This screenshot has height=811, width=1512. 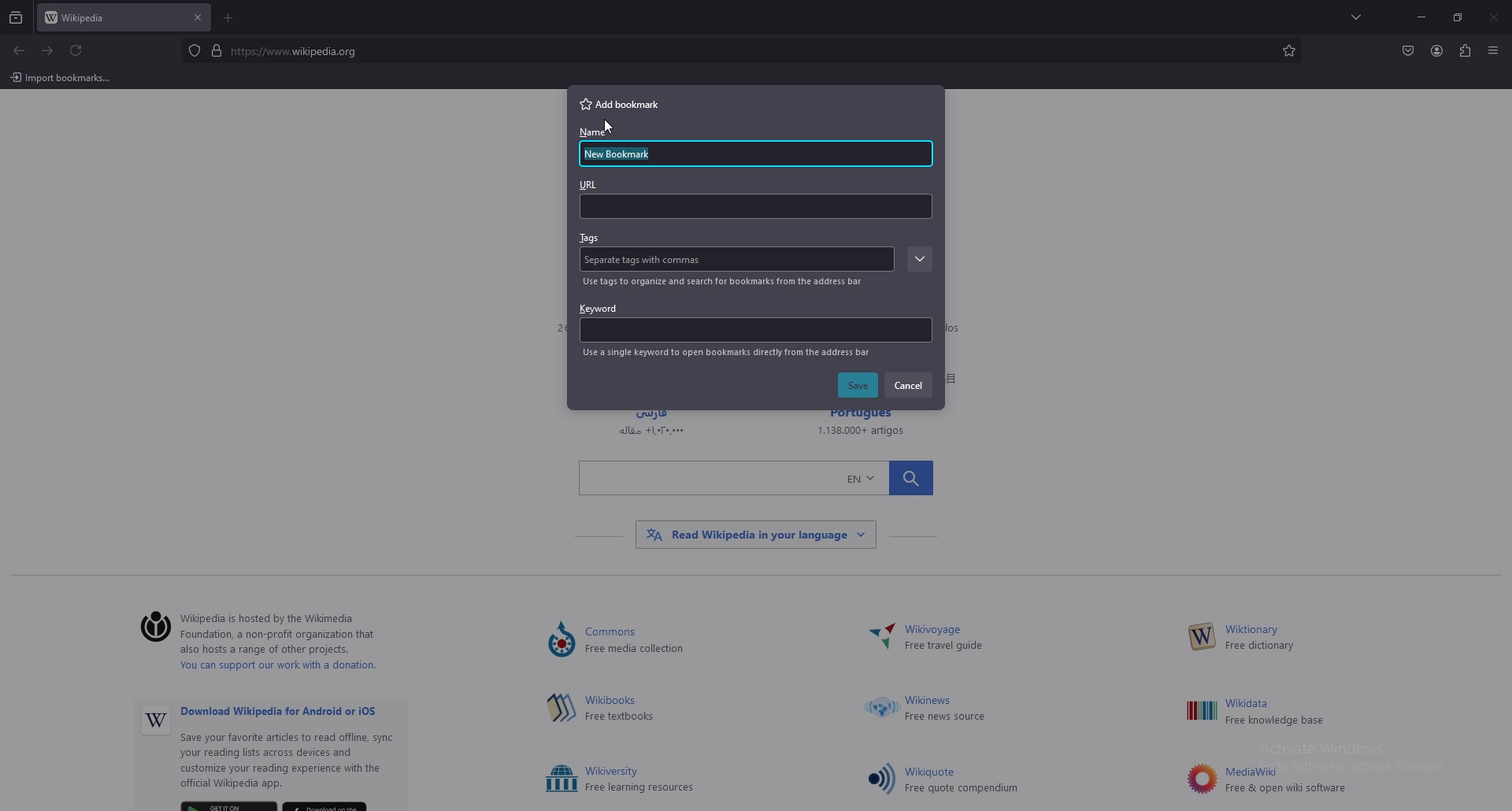 I want to click on save to pocket, so click(x=1407, y=50).